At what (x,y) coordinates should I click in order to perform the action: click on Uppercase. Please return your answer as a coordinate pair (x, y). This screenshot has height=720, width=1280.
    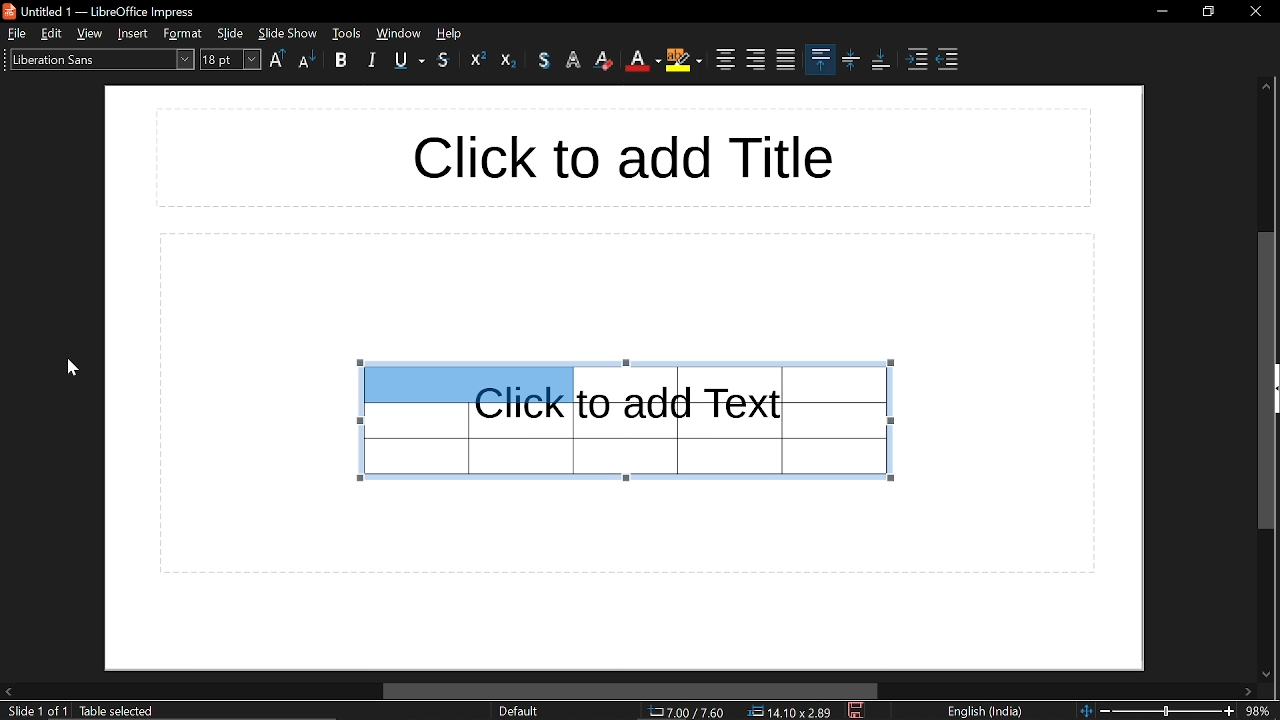
    Looking at the image, I should click on (278, 60).